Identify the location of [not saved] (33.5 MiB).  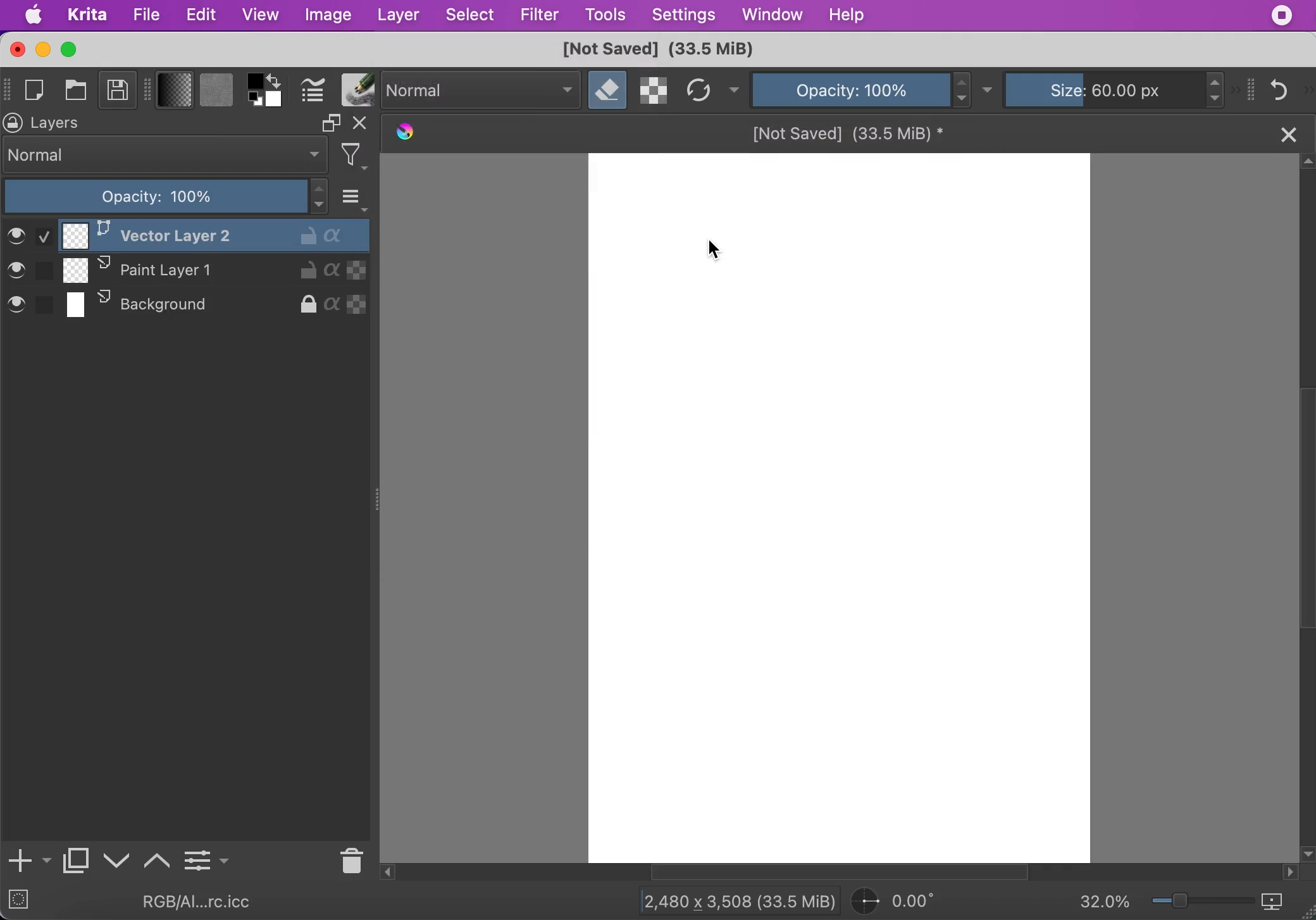
(655, 50).